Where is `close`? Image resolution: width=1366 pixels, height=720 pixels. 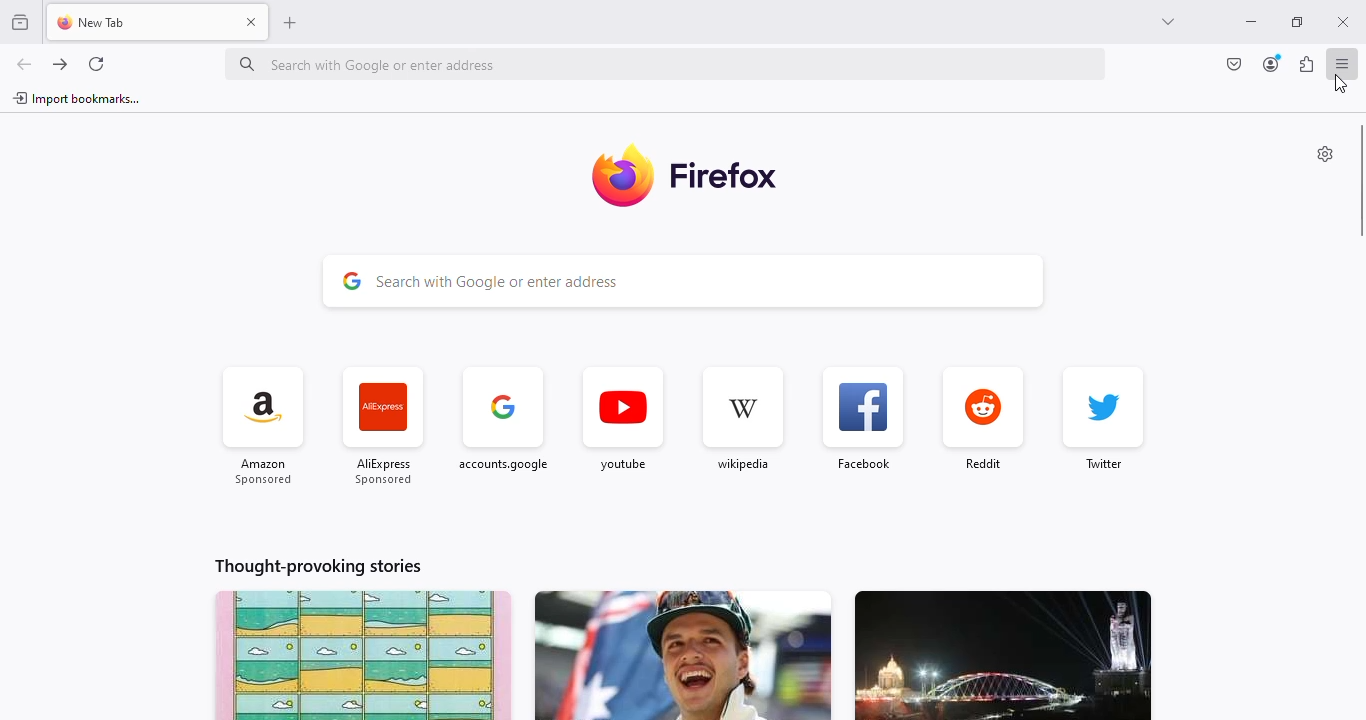
close is located at coordinates (1344, 22).